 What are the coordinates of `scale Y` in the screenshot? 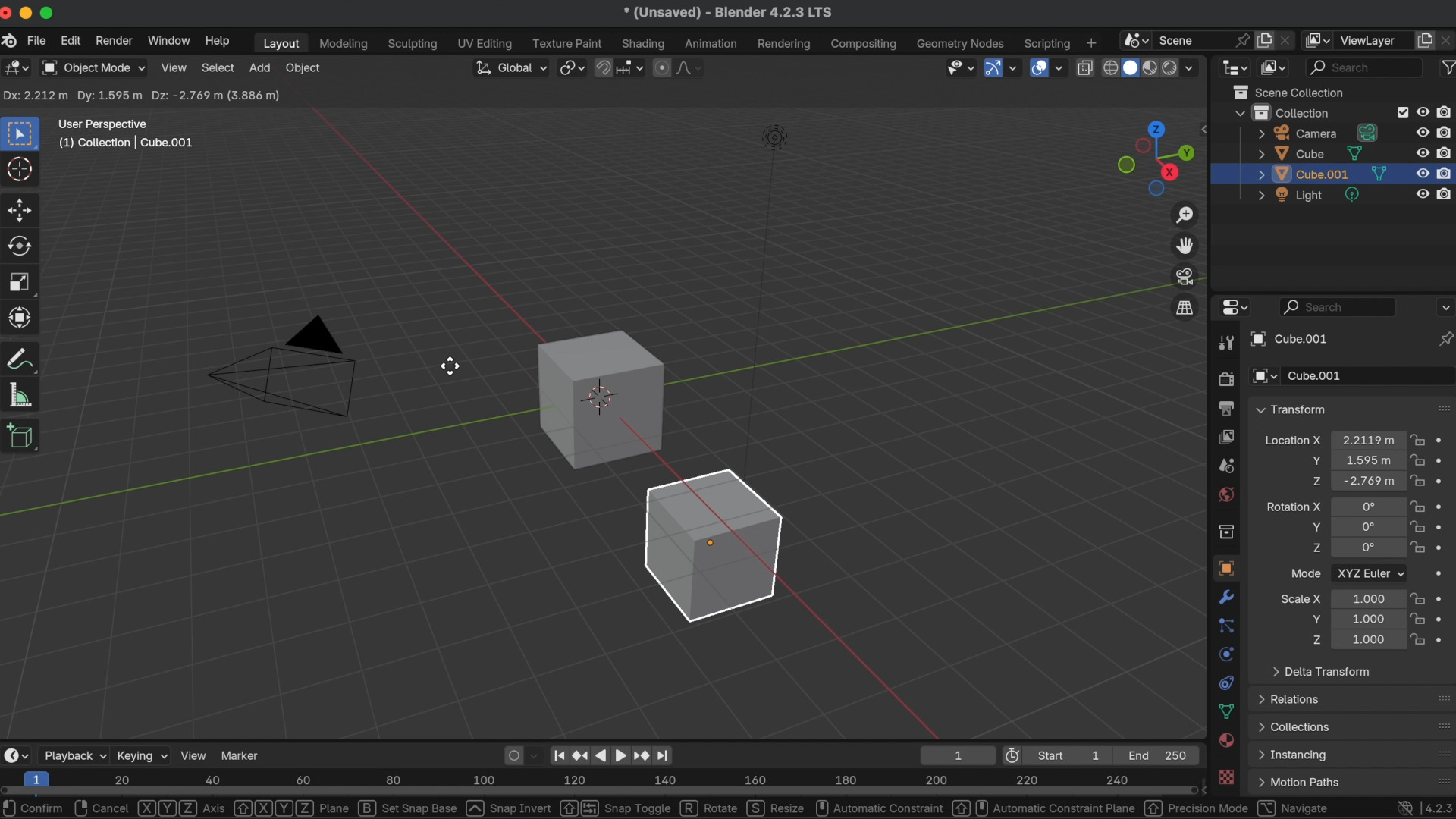 It's located at (1312, 619).